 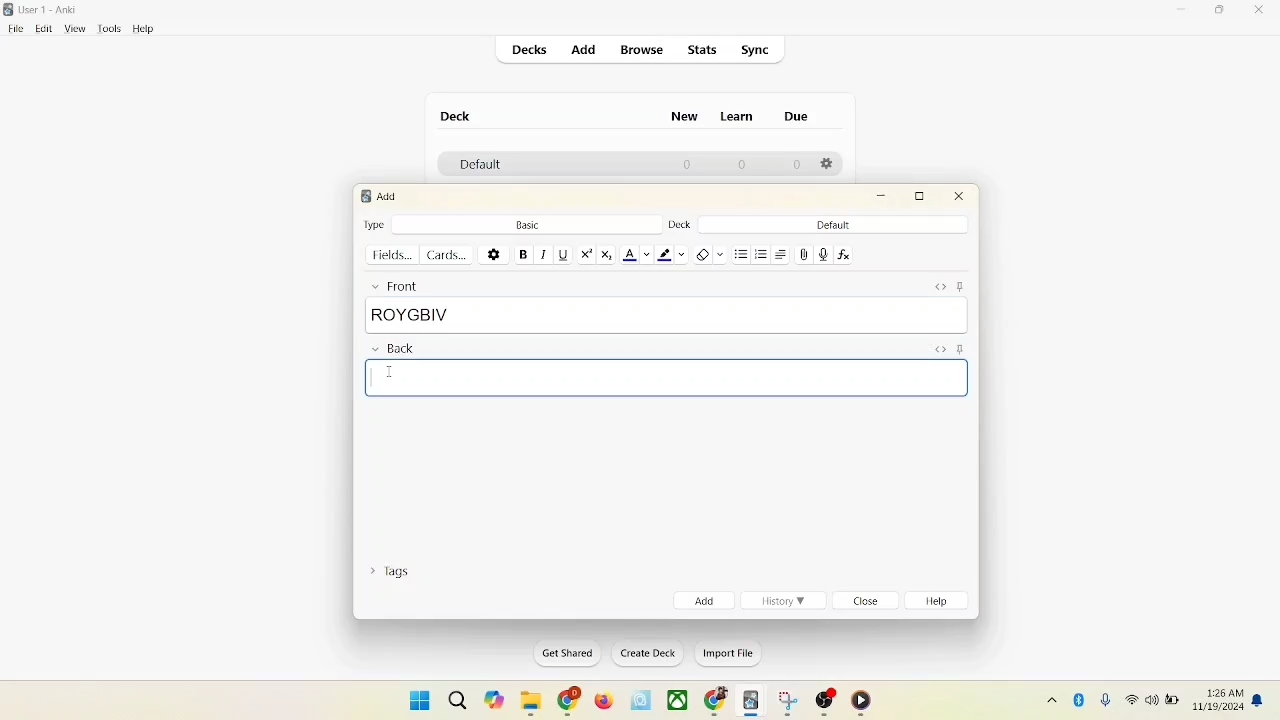 What do you see at coordinates (375, 224) in the screenshot?
I see `type` at bounding box center [375, 224].